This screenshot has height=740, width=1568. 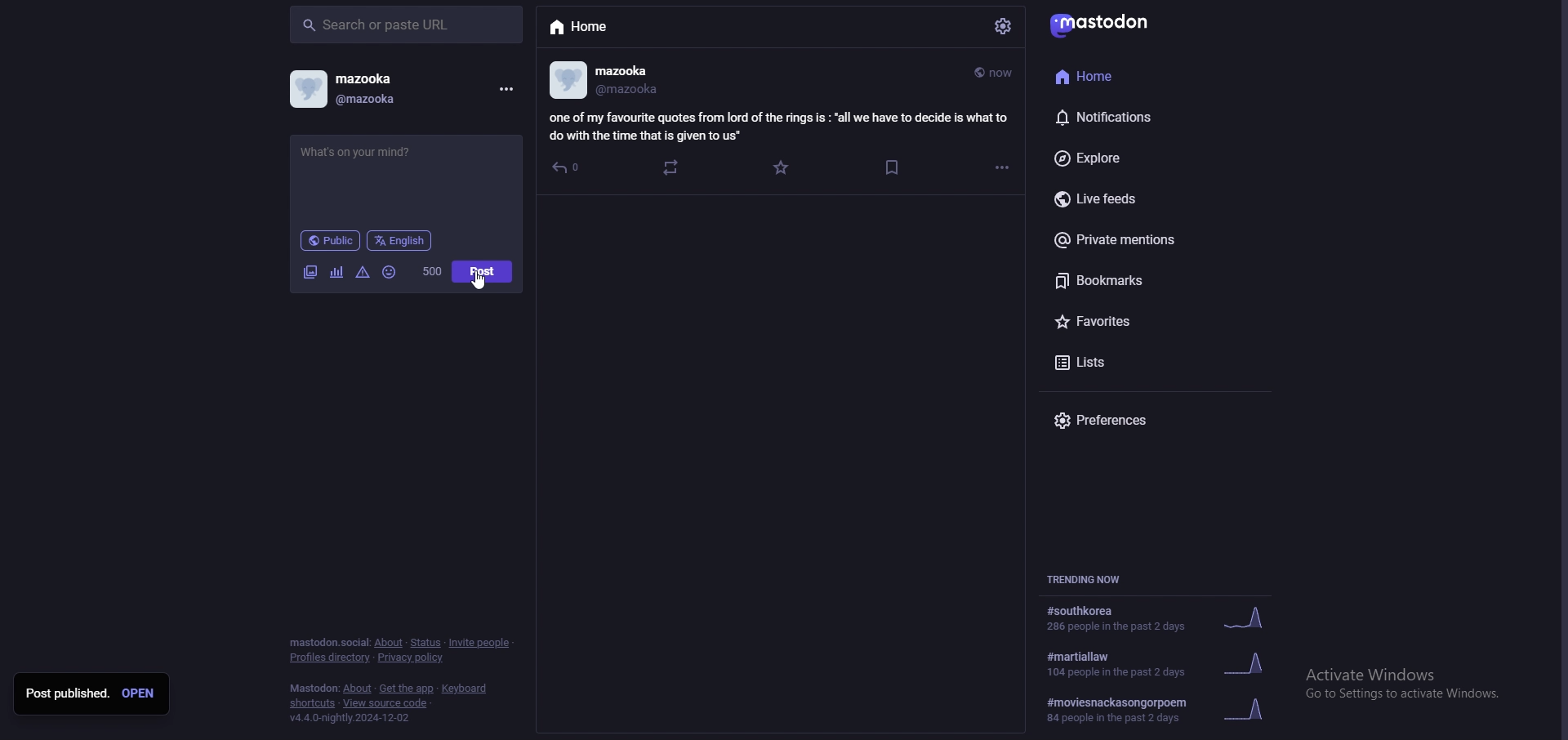 What do you see at coordinates (892, 167) in the screenshot?
I see `bookmark` at bounding box center [892, 167].